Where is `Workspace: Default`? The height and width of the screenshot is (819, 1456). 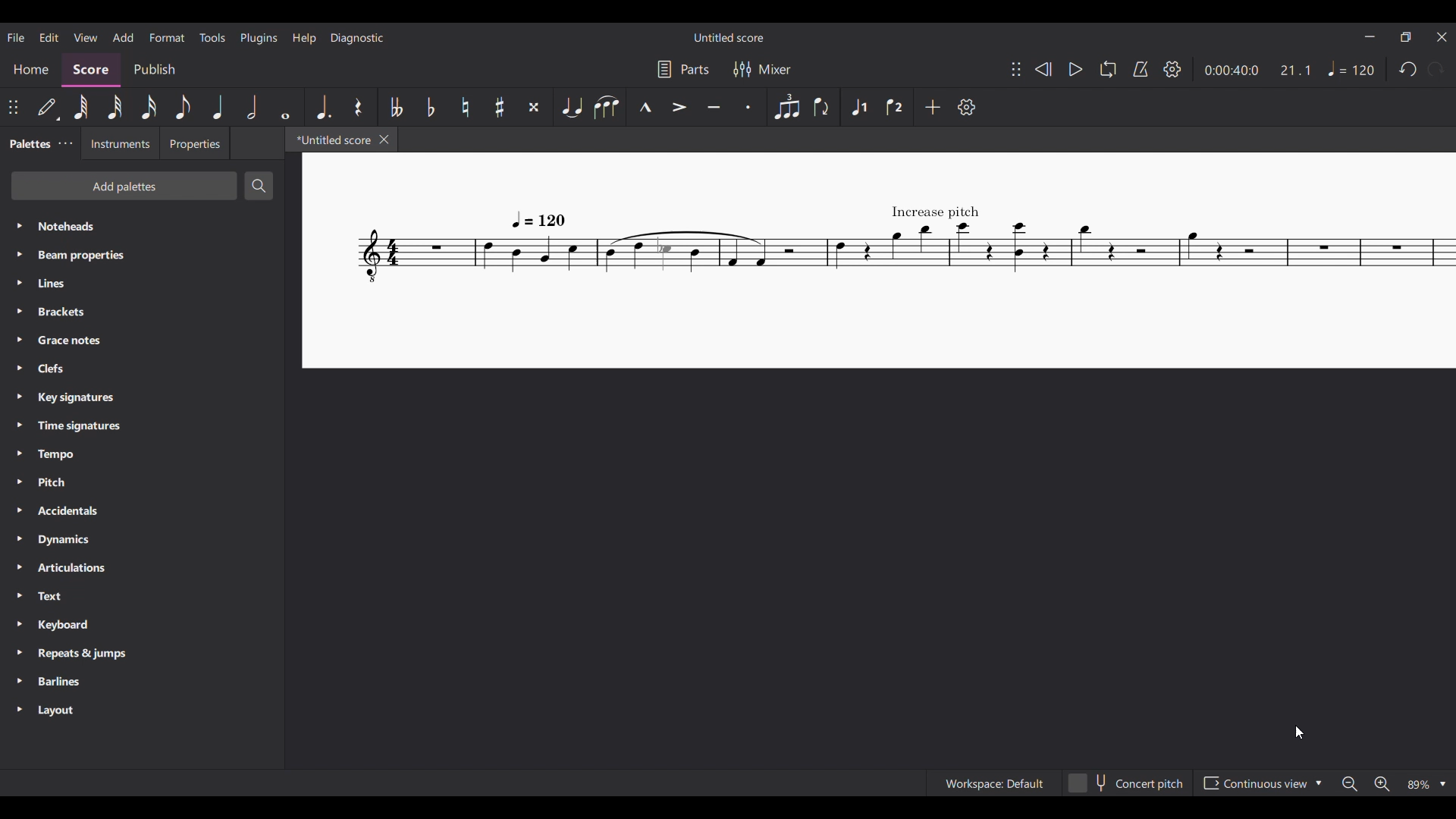
Workspace: Default is located at coordinates (994, 783).